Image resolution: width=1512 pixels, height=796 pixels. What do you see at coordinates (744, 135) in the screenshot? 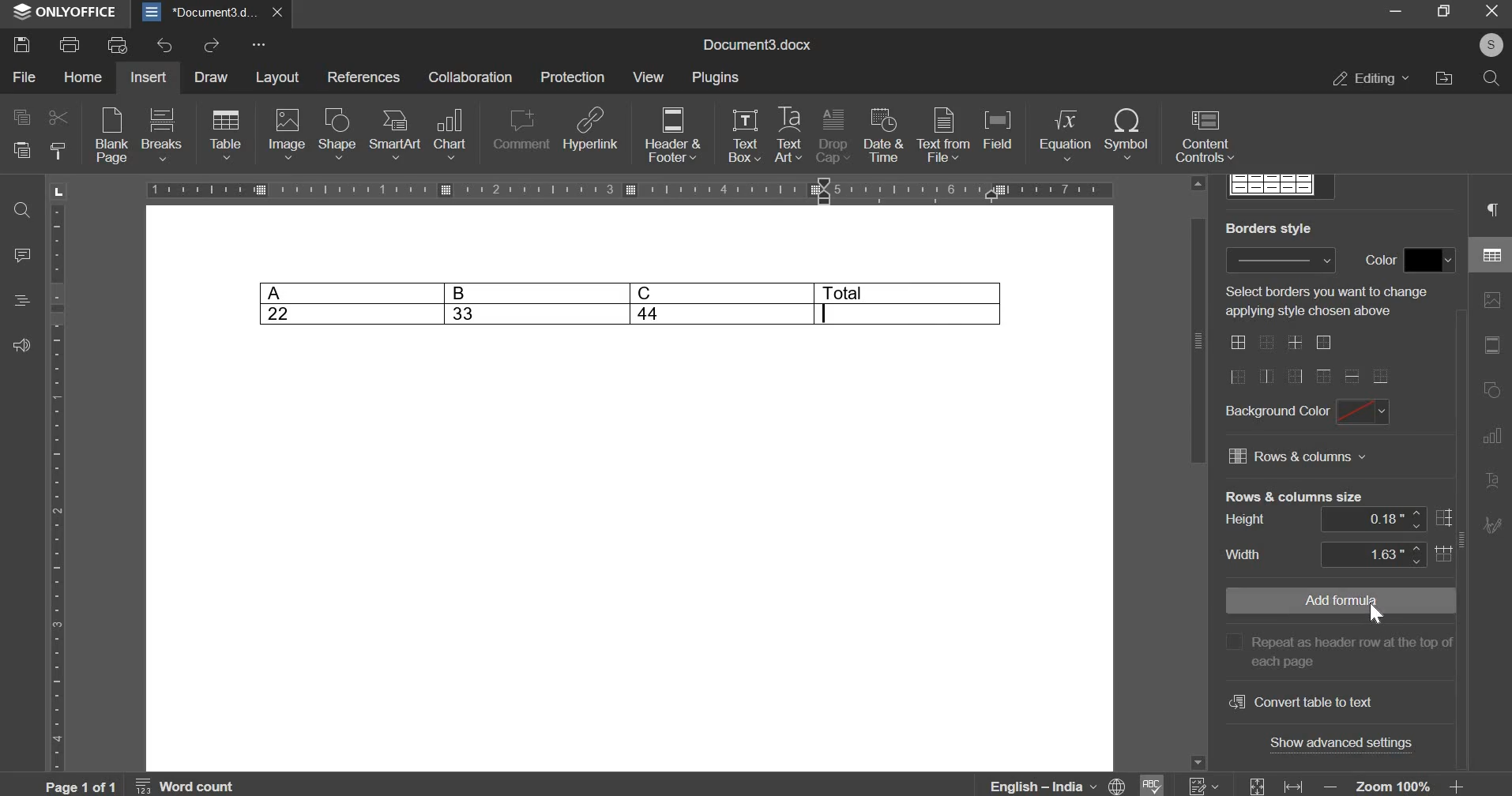
I see `text box` at bounding box center [744, 135].